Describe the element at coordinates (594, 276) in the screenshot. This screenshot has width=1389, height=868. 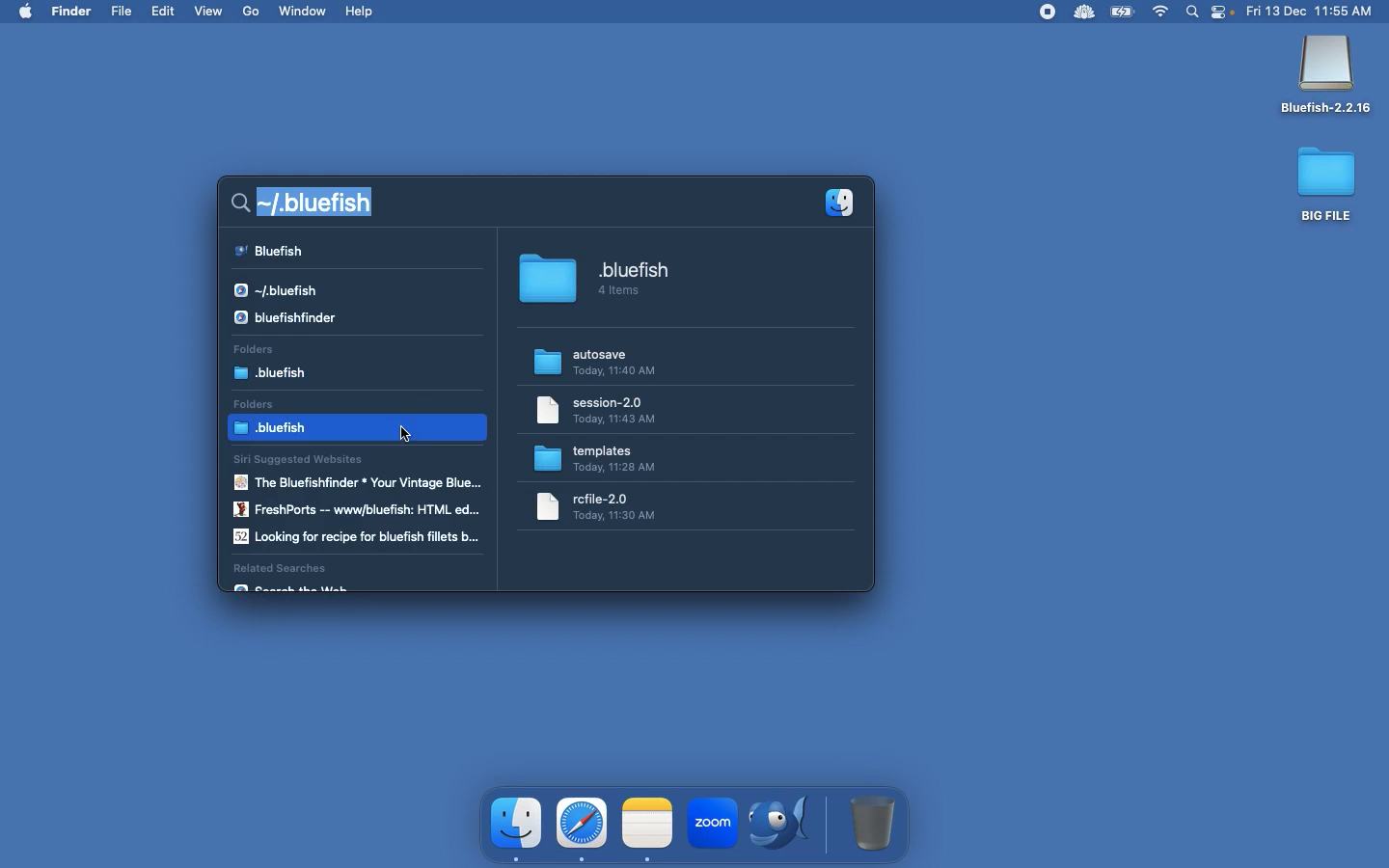
I see `.bluefish` at that location.